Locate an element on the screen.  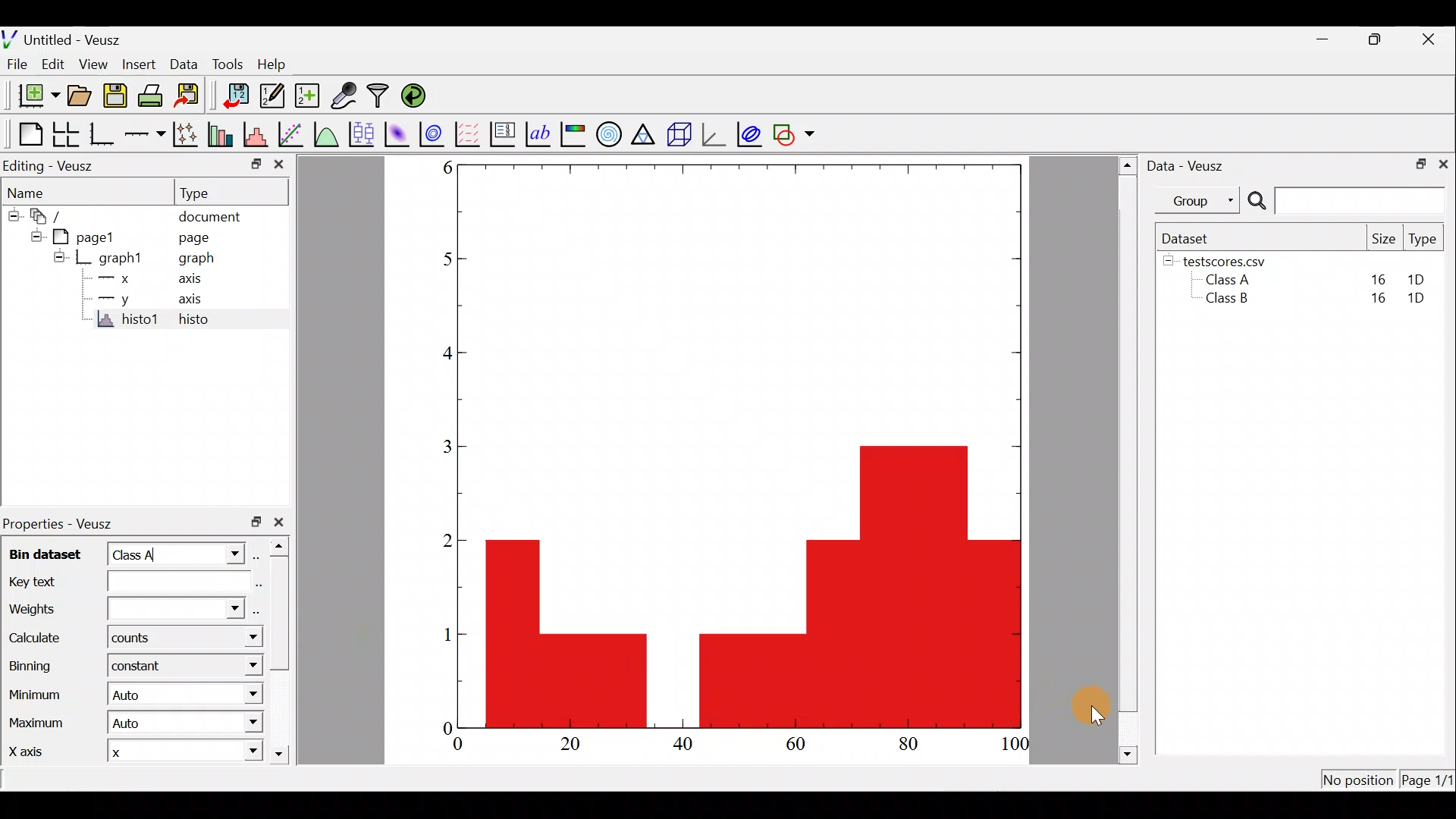
Open a document is located at coordinates (79, 94).